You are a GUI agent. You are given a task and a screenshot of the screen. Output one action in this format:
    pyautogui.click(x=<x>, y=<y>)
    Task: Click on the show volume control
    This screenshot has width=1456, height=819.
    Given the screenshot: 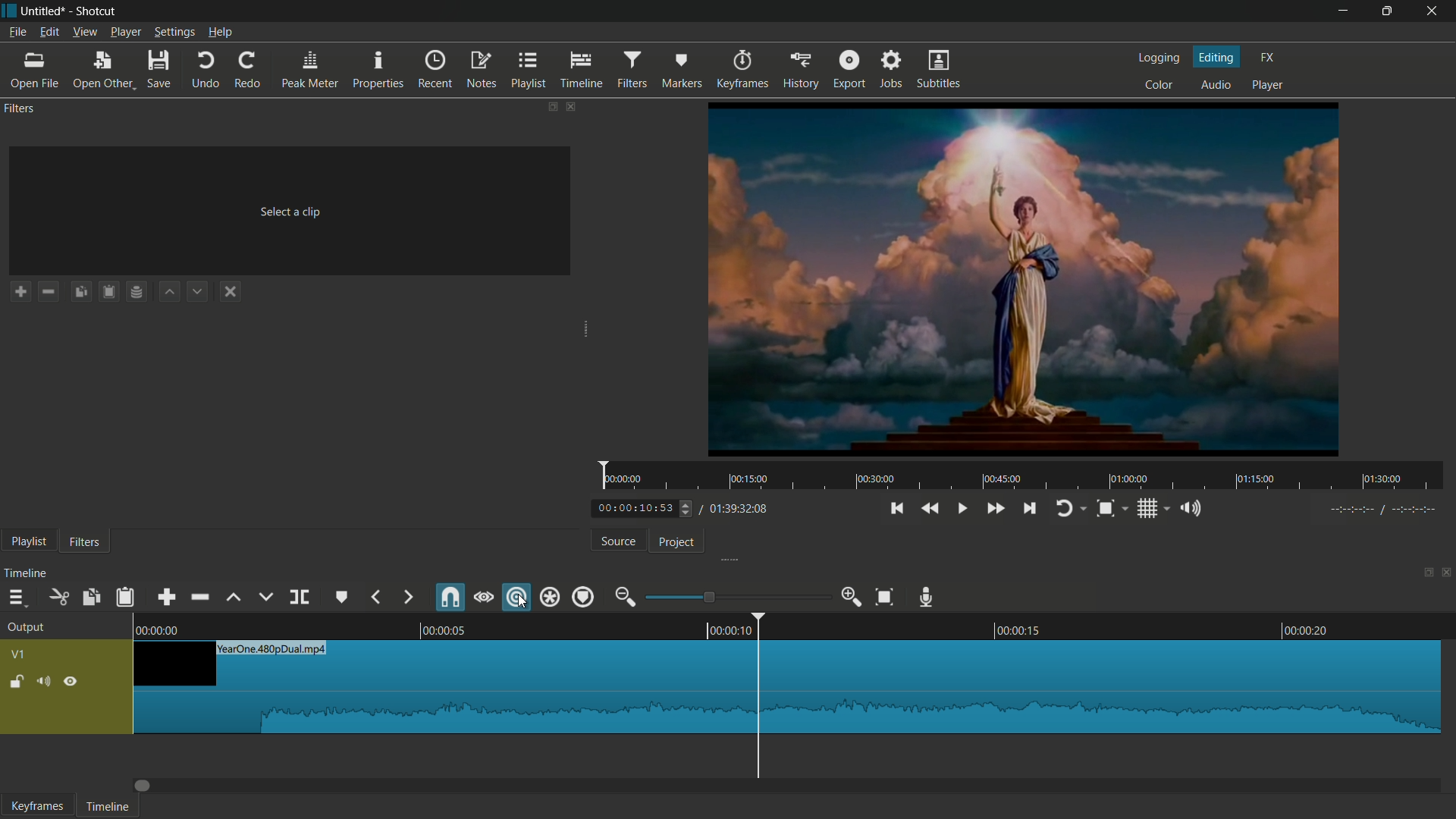 What is the action you would take?
    pyautogui.click(x=1191, y=508)
    